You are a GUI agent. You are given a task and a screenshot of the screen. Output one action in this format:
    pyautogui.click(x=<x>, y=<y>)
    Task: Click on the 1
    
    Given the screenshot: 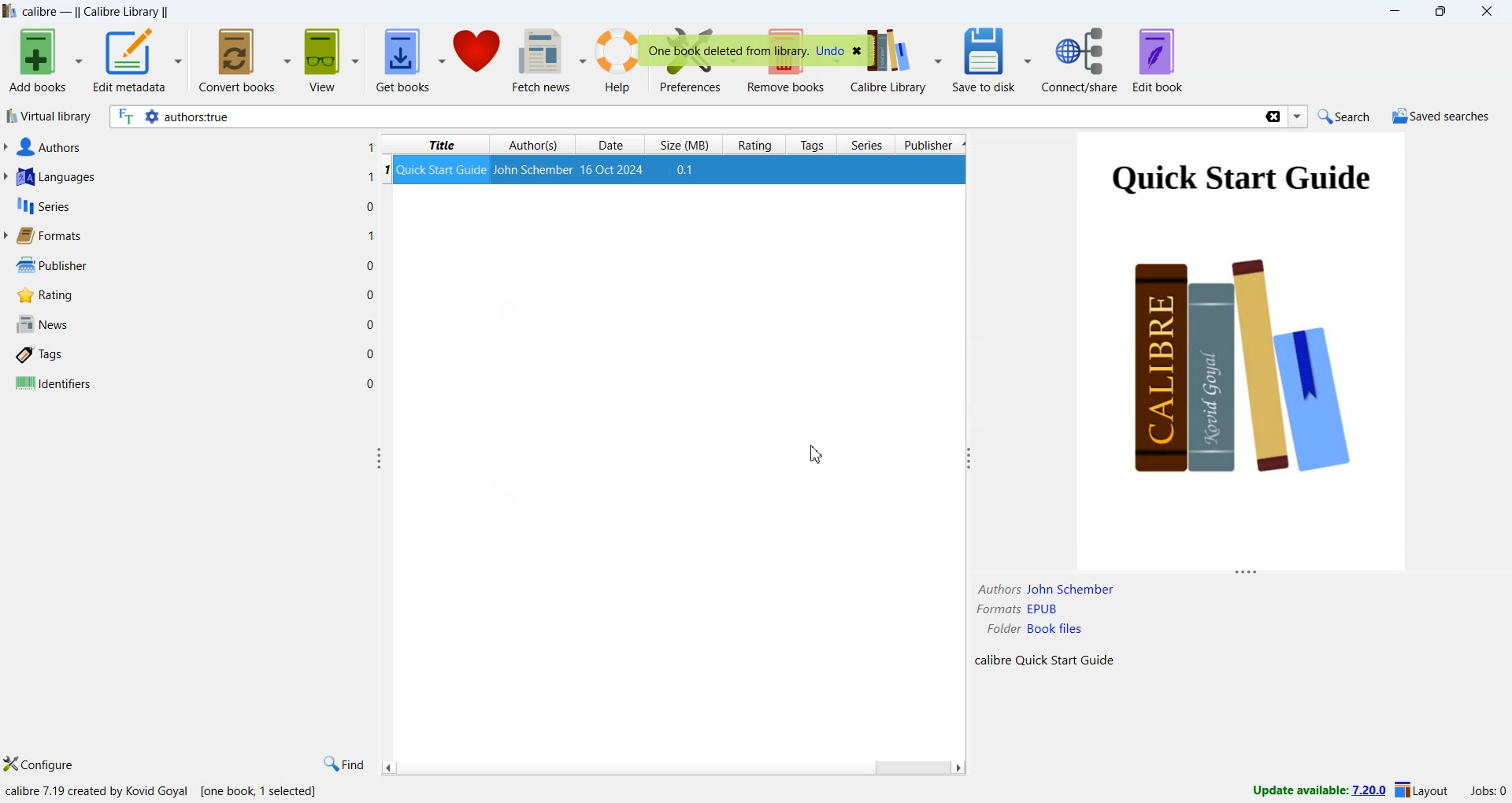 What is the action you would take?
    pyautogui.click(x=370, y=146)
    